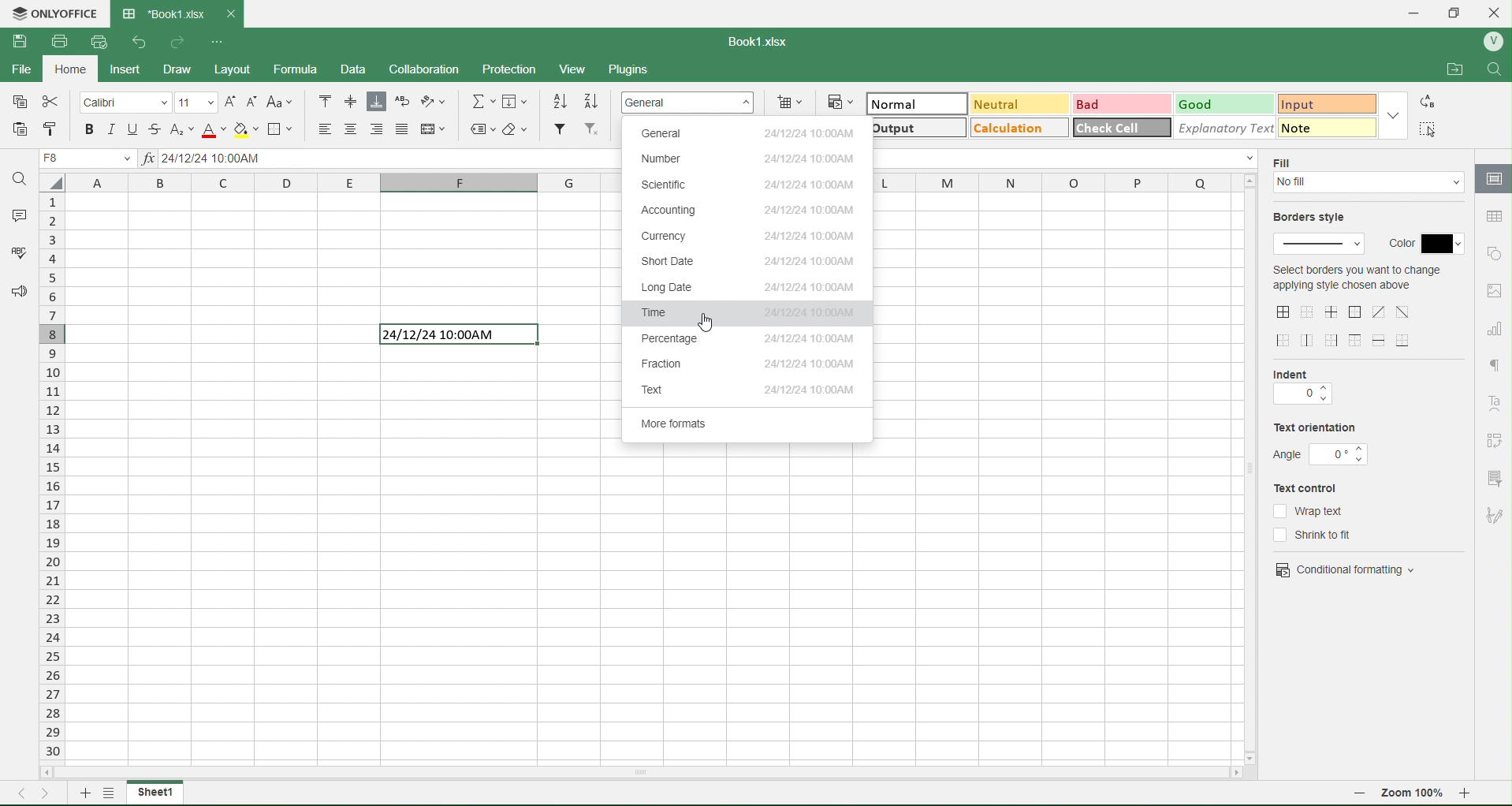 The height and width of the screenshot is (806, 1512). Describe the element at coordinates (110, 129) in the screenshot. I see `Italic` at that location.